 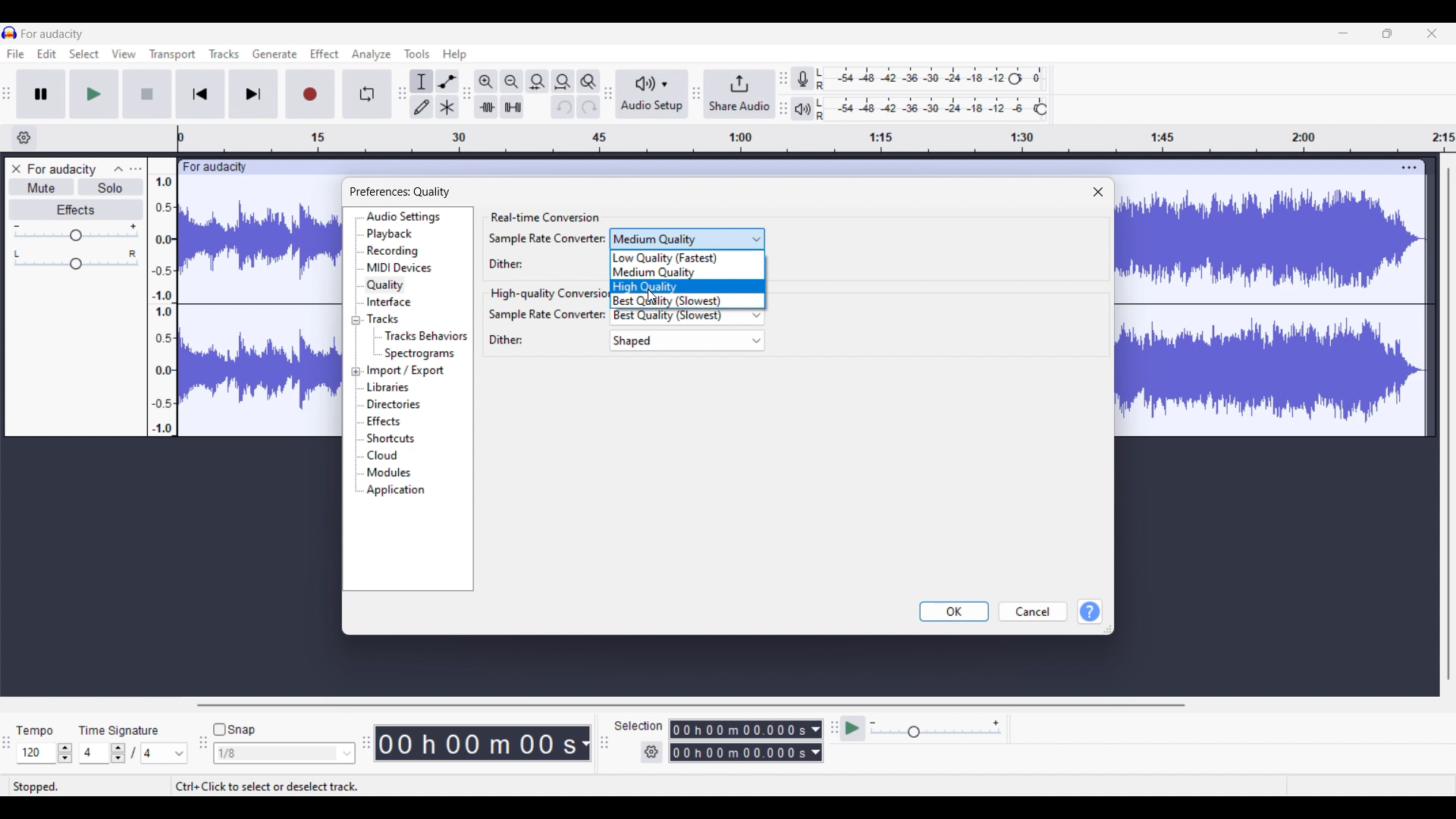 I want to click on Trim audio outside selection, so click(x=486, y=107).